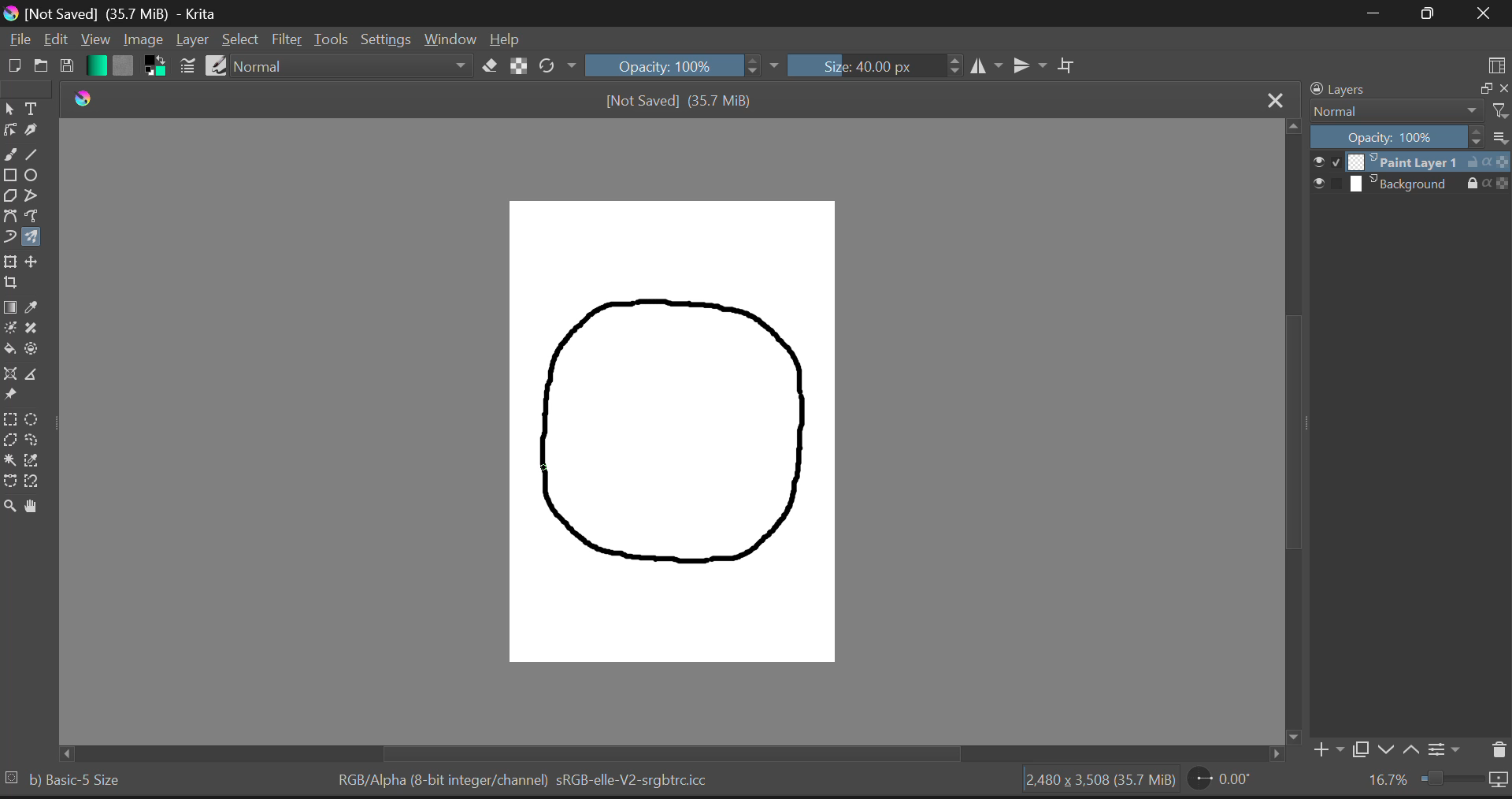 This screenshot has height=799, width=1512. Describe the element at coordinates (679, 432) in the screenshot. I see `Illustration Generated` at that location.